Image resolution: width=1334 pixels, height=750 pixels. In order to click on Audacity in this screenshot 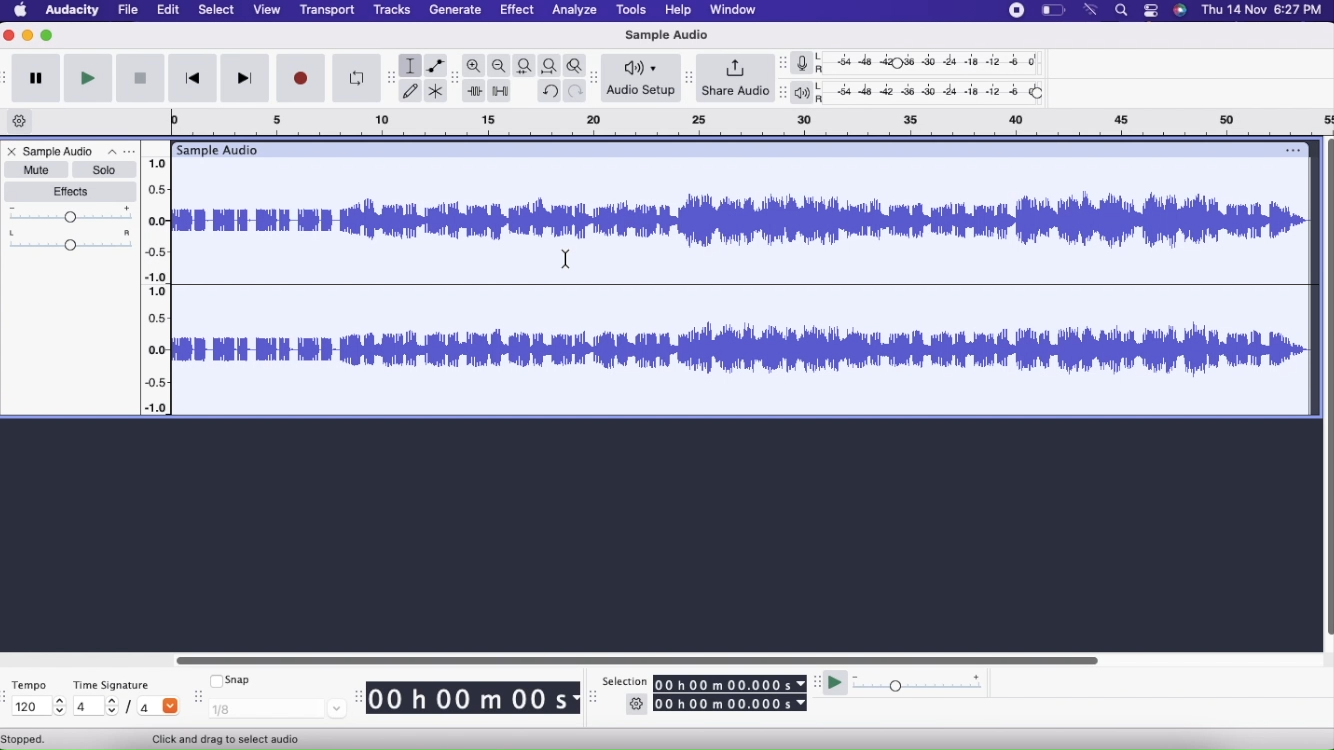, I will do `click(71, 12)`.